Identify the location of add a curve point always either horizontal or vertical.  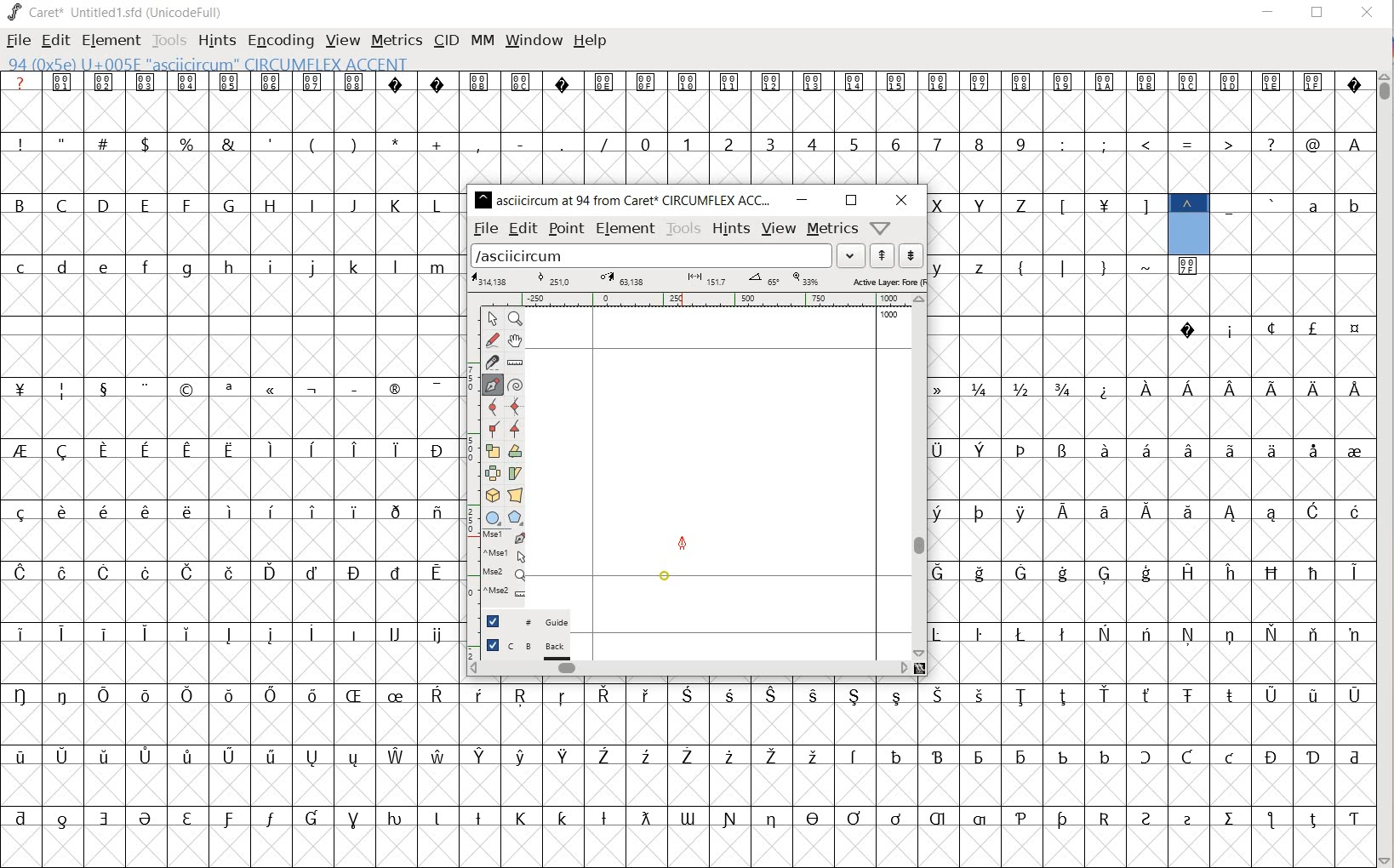
(515, 407).